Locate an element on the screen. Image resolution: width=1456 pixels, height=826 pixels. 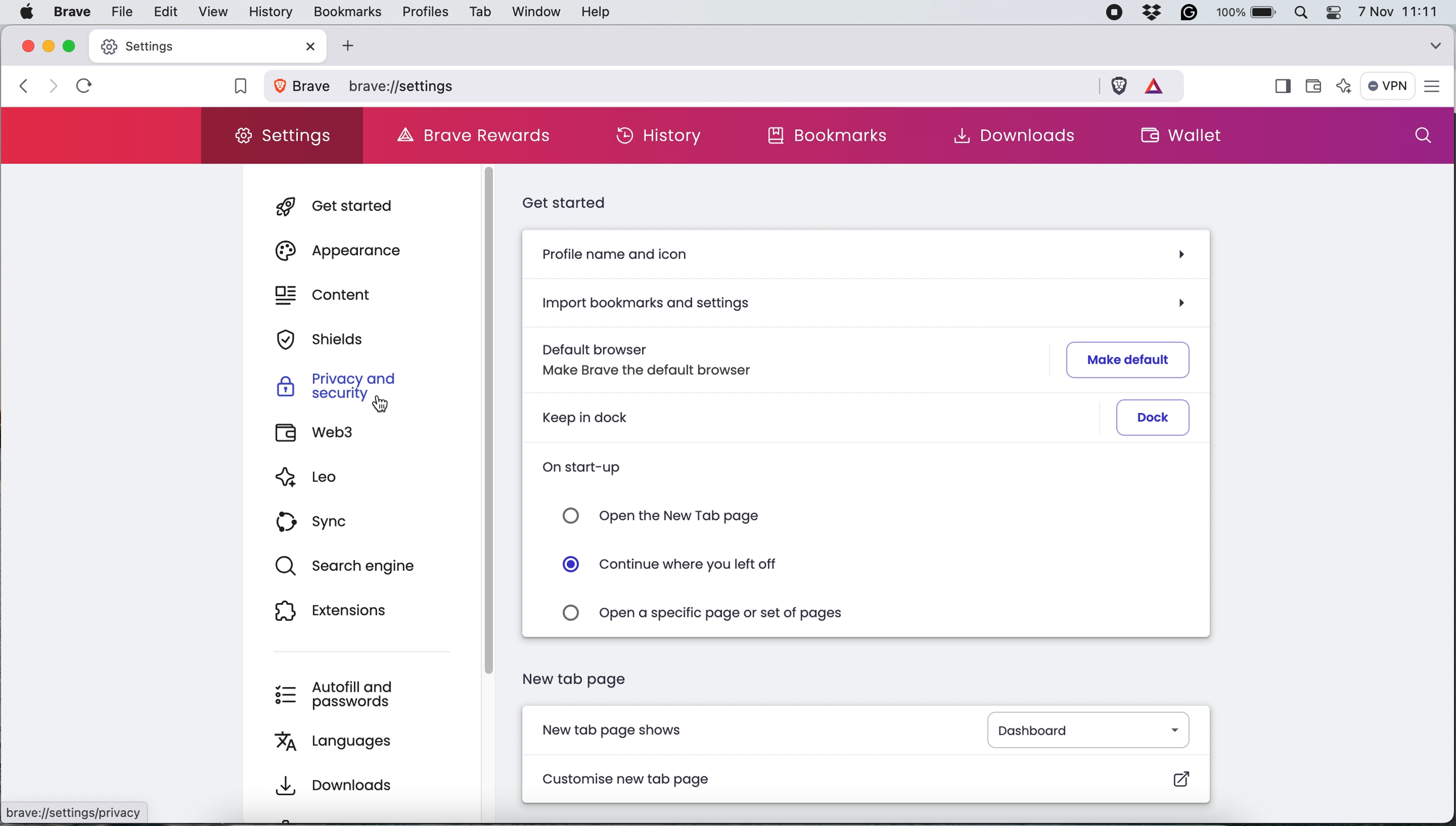
close is located at coordinates (306, 47).